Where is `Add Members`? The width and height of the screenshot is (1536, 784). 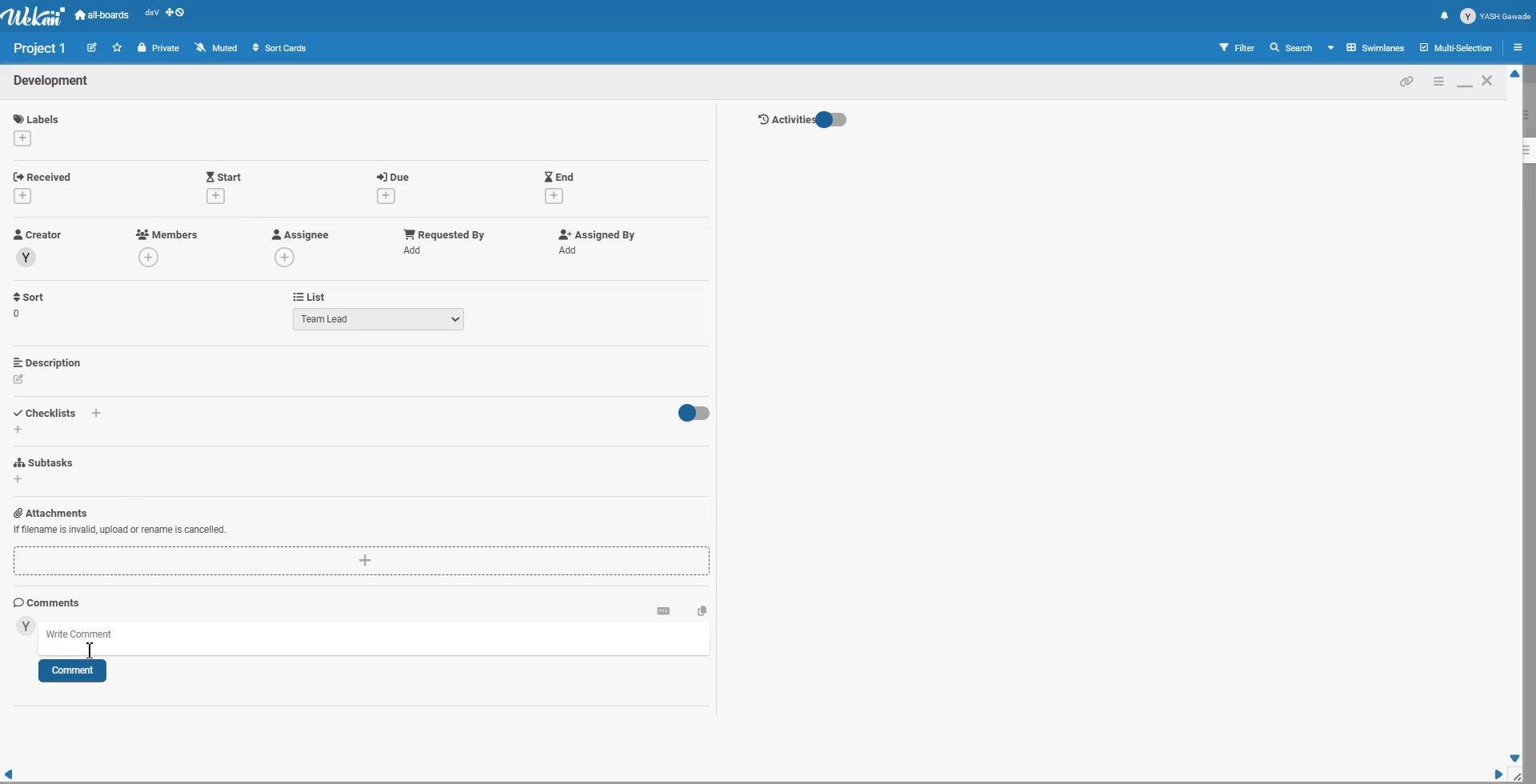
Add Members is located at coordinates (168, 234).